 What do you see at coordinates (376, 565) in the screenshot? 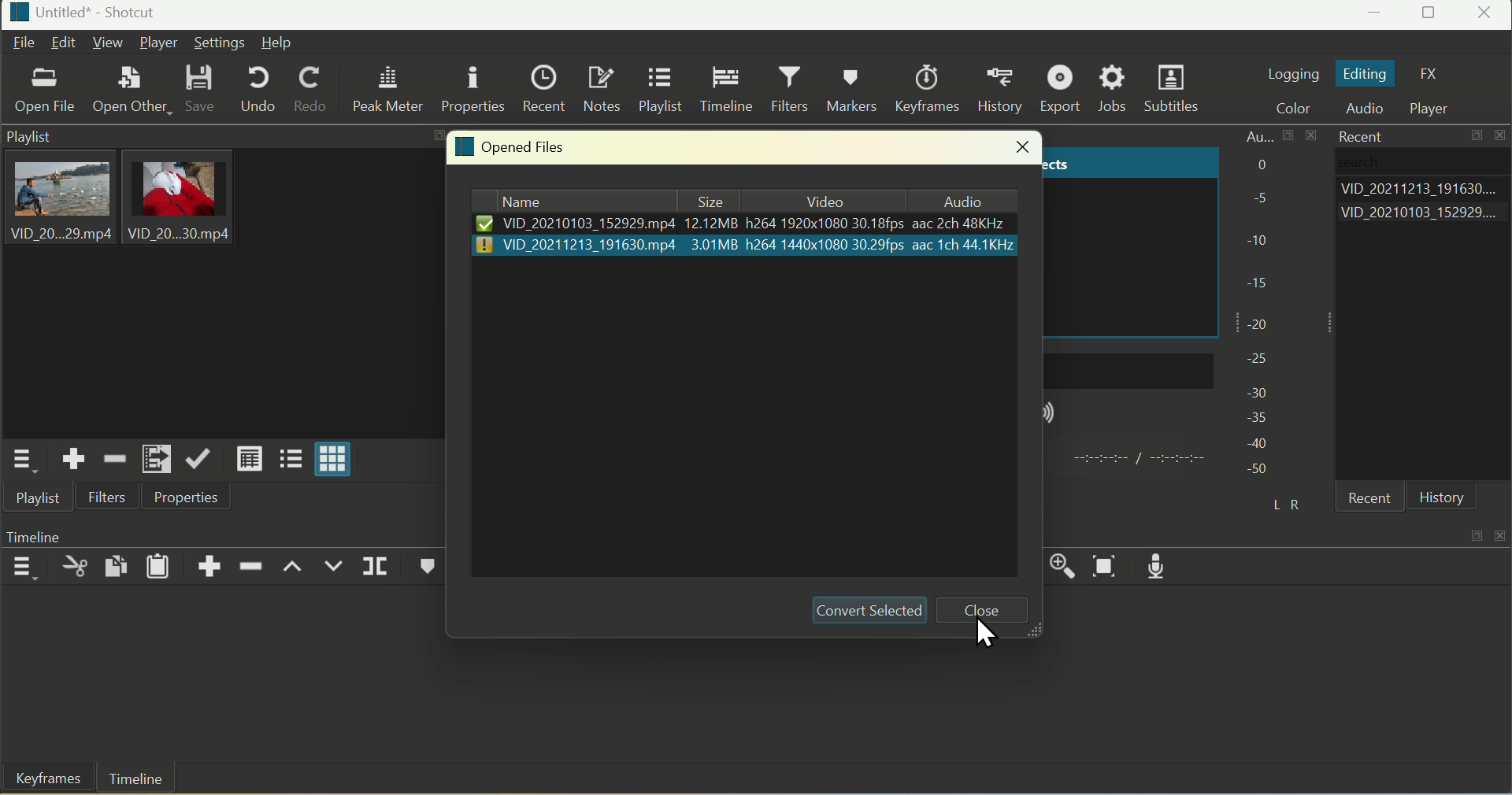
I see `Split at Playahead` at bounding box center [376, 565].